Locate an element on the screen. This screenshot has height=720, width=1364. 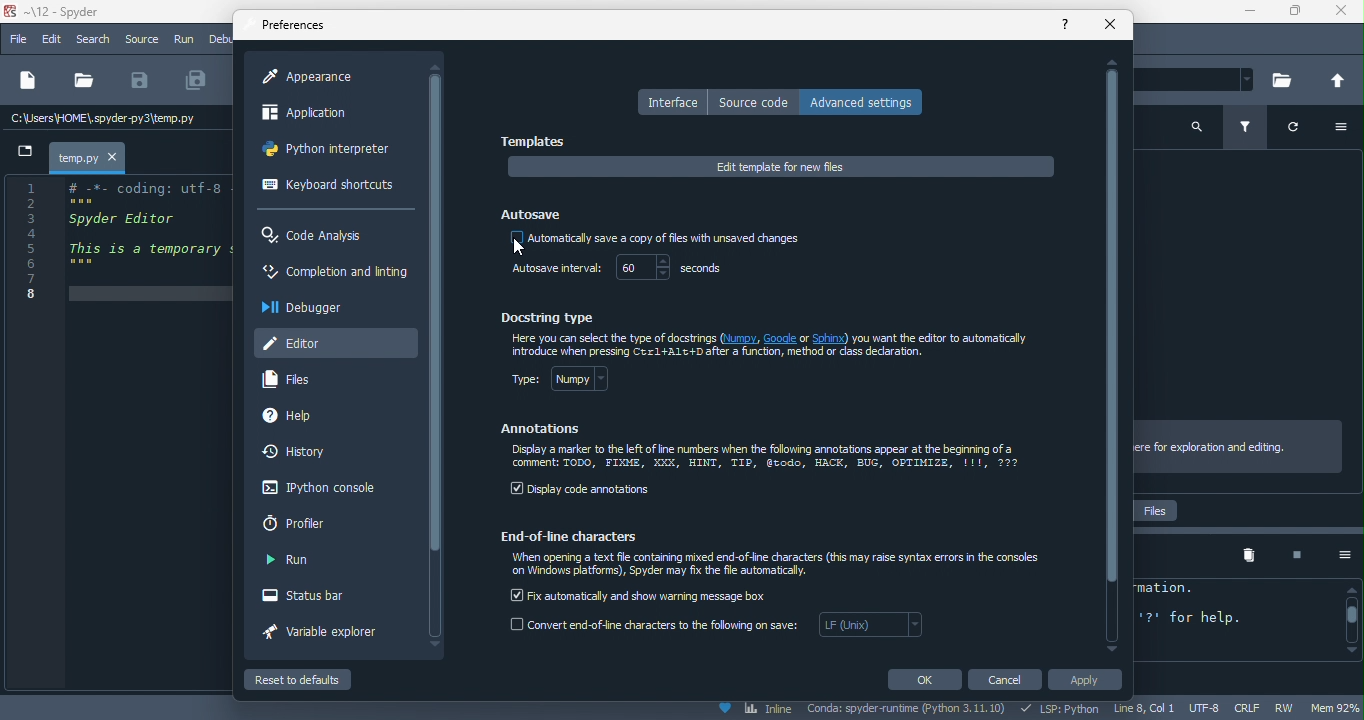
display code annotations is located at coordinates (582, 491).